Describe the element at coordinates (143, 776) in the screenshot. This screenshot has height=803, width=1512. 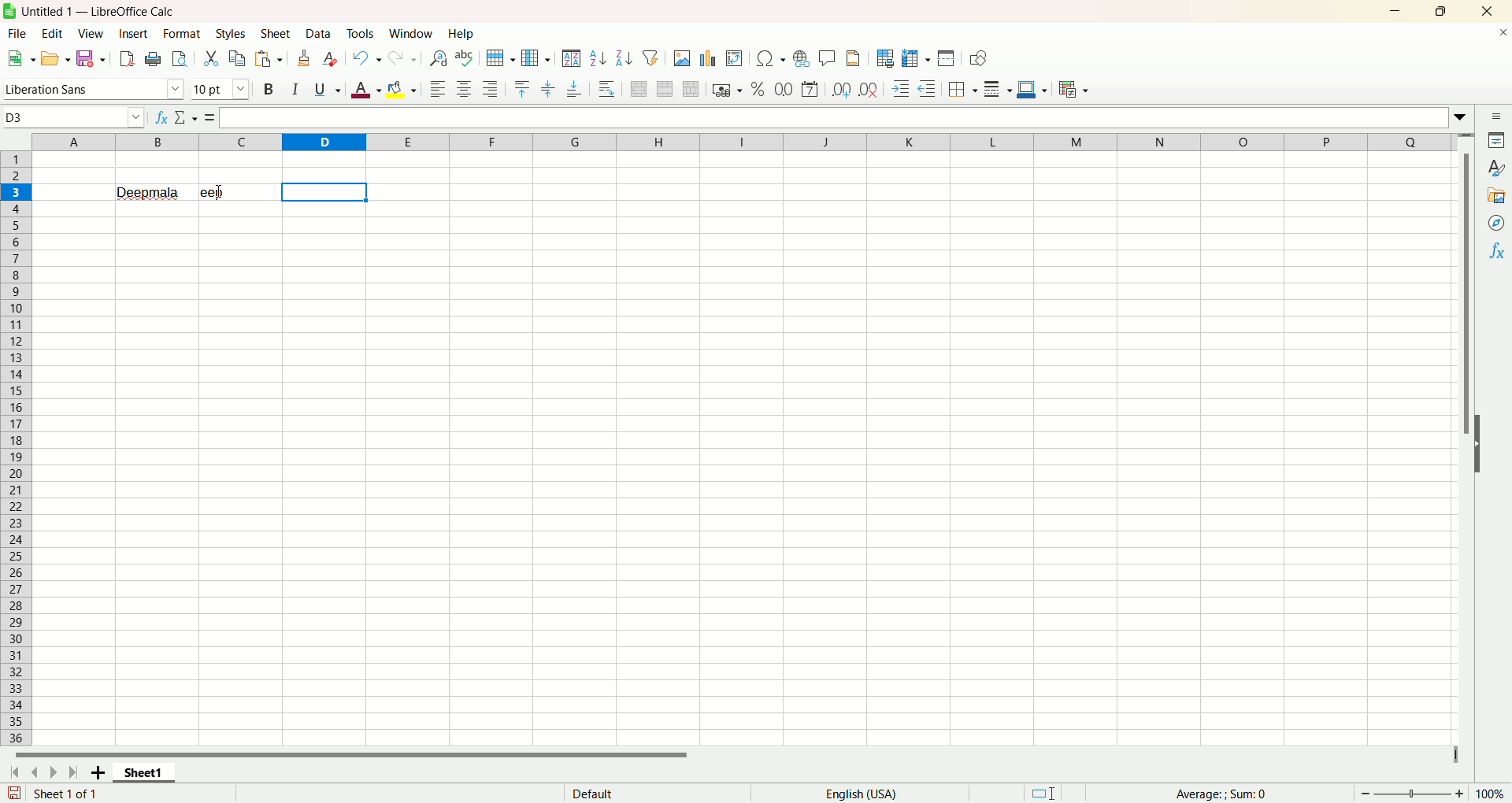
I see `sheet name` at that location.